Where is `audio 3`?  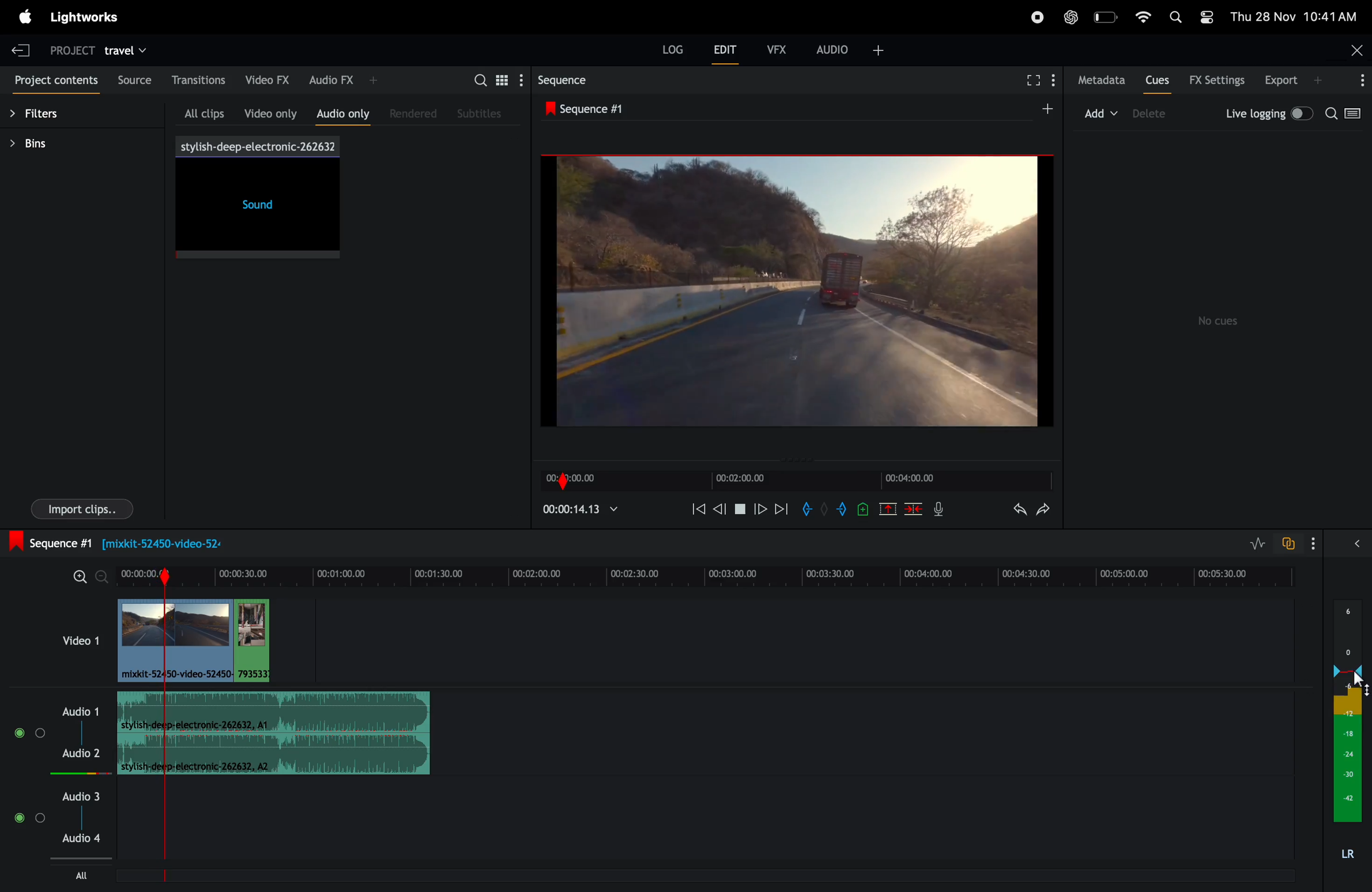
audio 3 is located at coordinates (82, 795).